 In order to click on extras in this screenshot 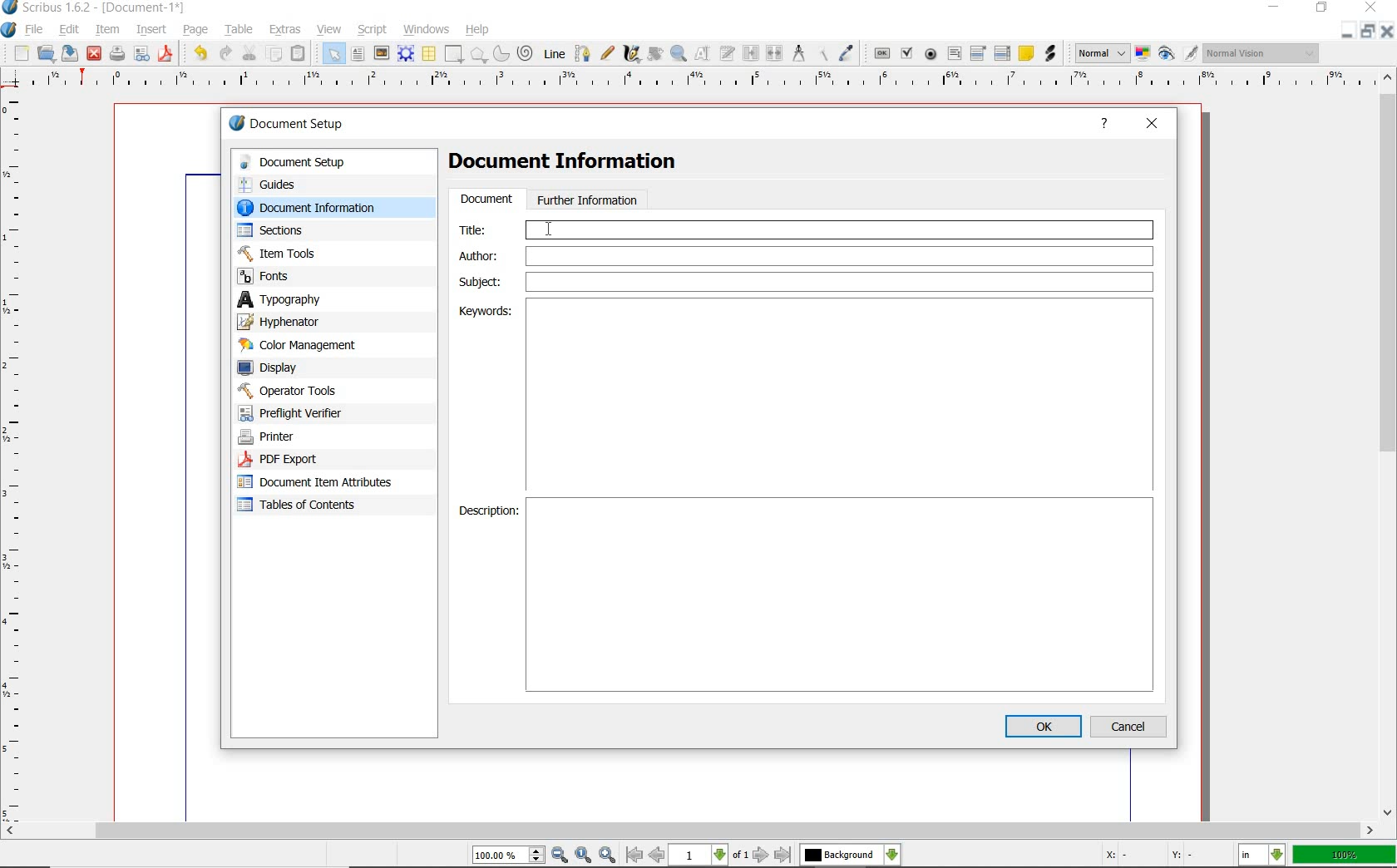, I will do `click(286, 30)`.